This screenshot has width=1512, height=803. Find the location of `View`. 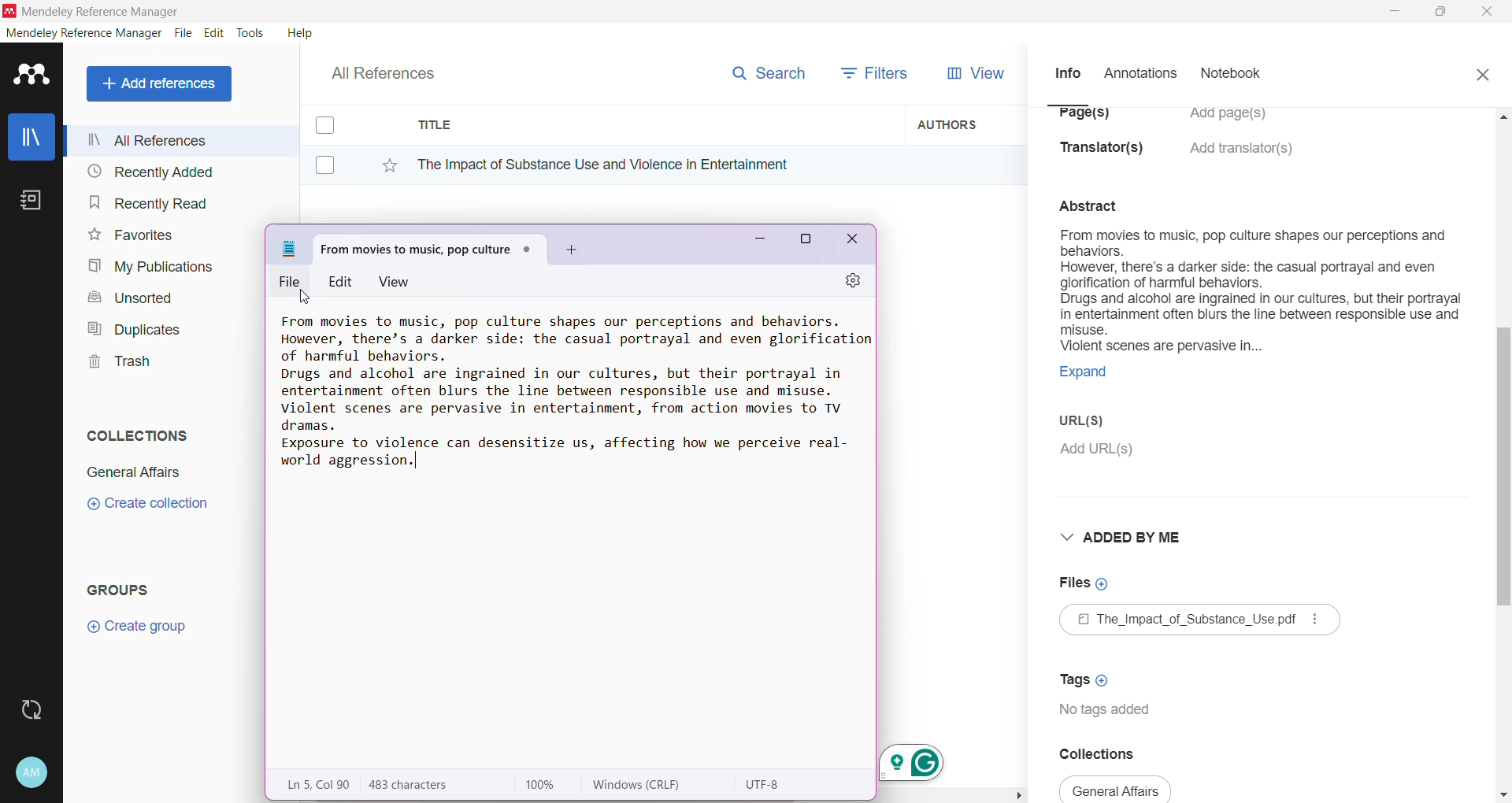

View is located at coordinates (973, 73).